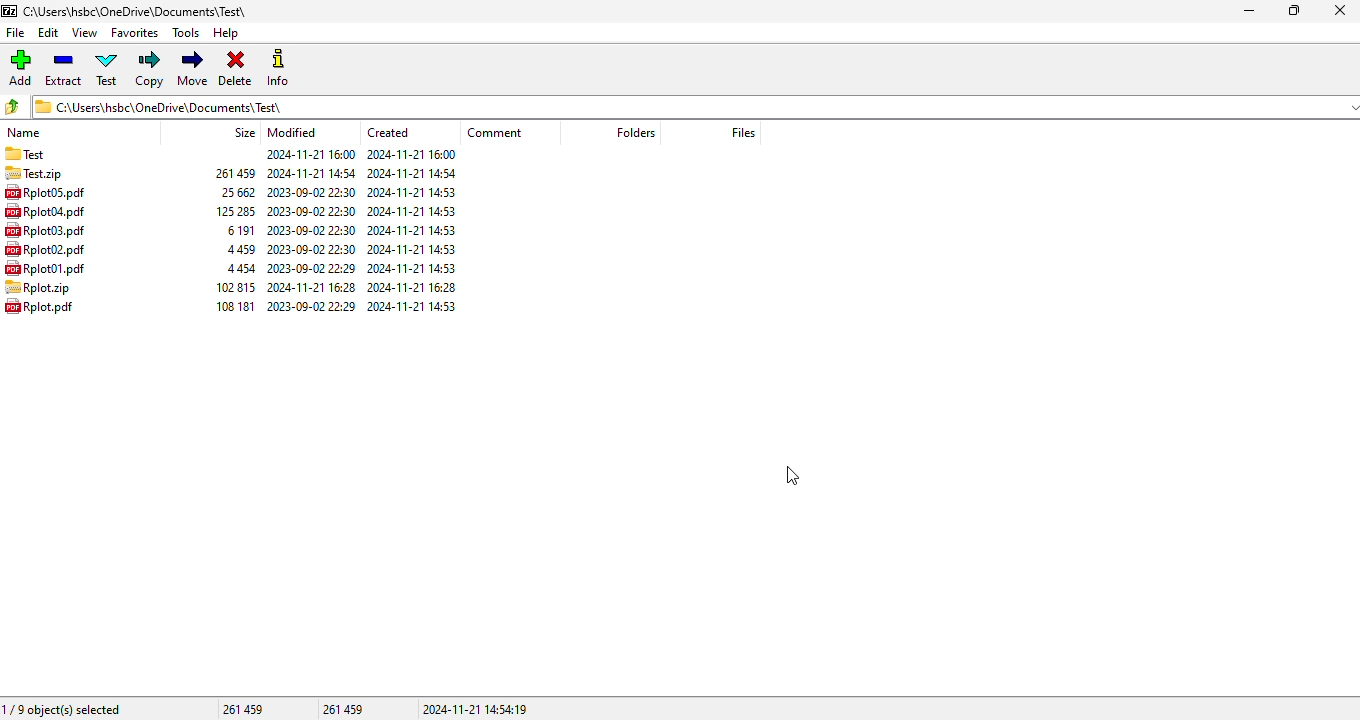 The image size is (1360, 720). What do you see at coordinates (39, 306) in the screenshot?
I see `file name` at bounding box center [39, 306].